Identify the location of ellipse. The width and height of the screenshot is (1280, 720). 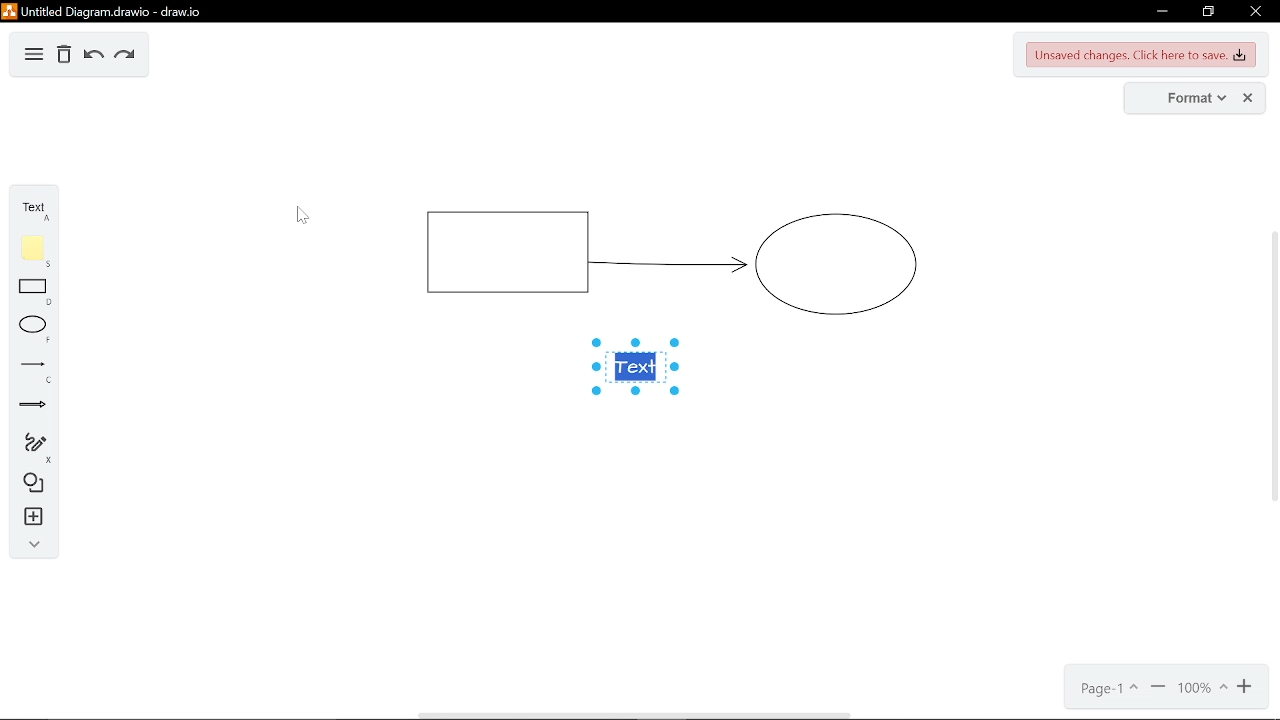
(37, 330).